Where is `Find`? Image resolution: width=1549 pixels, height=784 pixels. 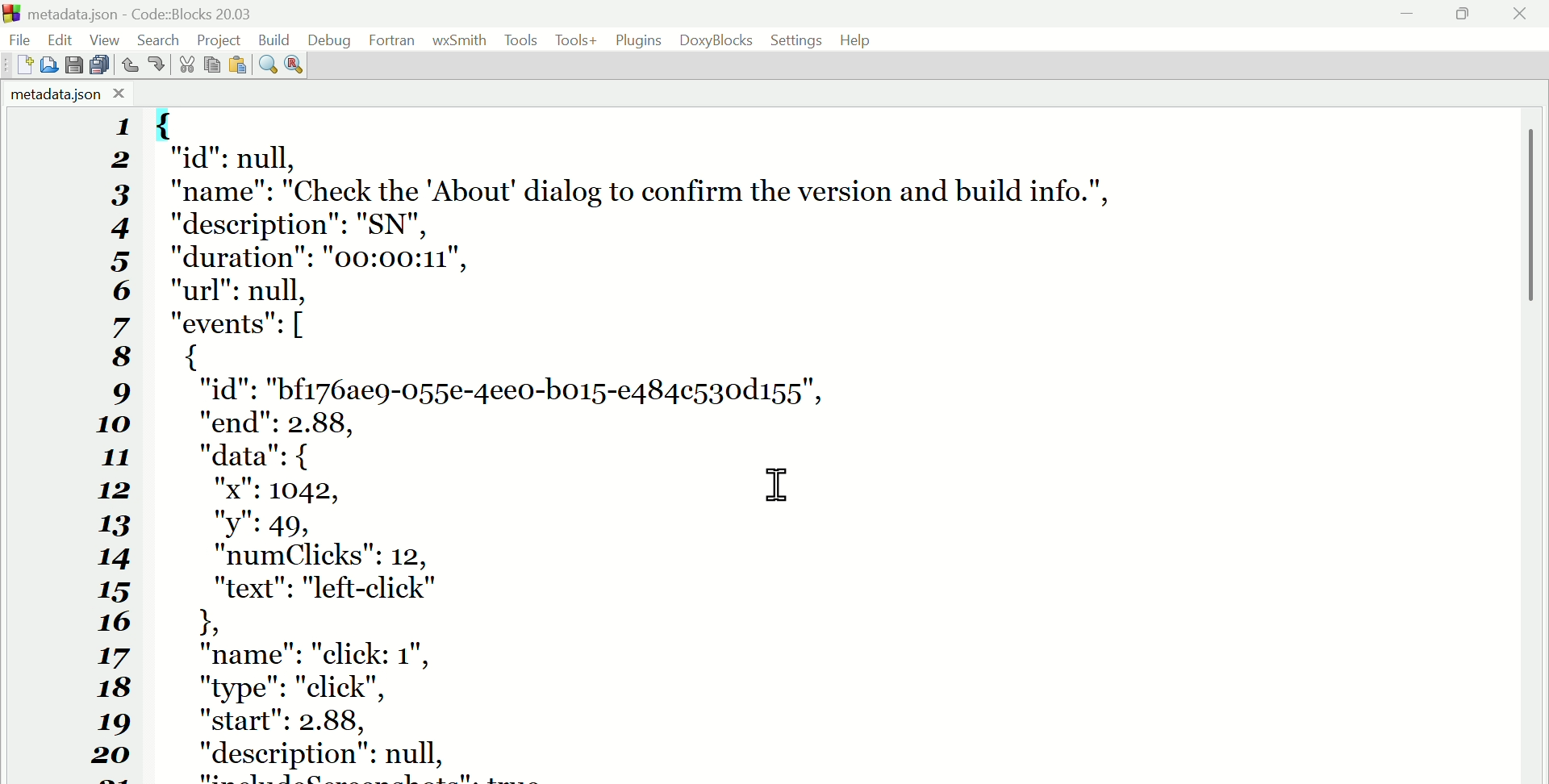
Find is located at coordinates (267, 67).